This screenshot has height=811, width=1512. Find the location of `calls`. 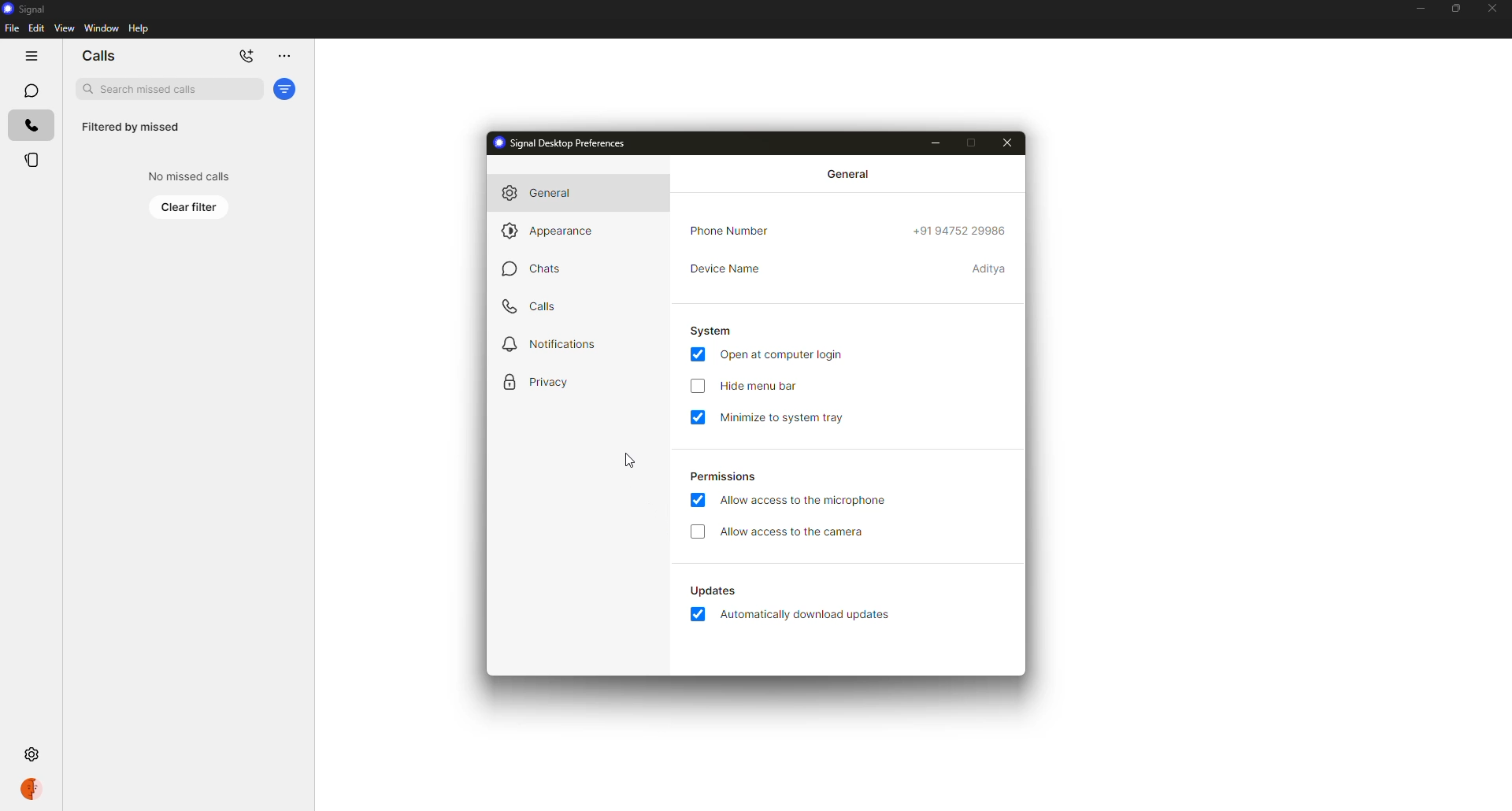

calls is located at coordinates (534, 307).